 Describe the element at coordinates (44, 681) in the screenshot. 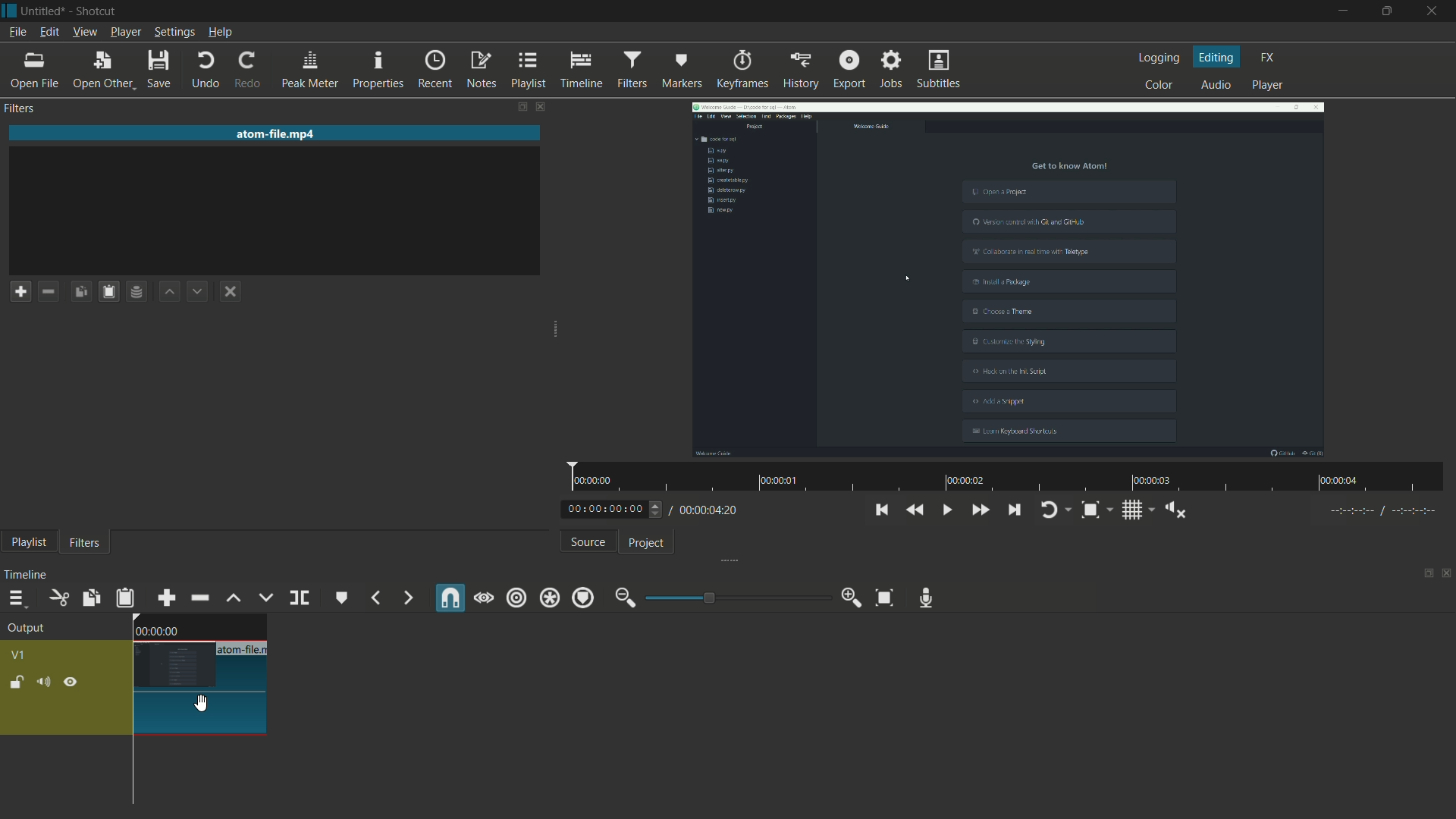

I see `mute/unmute` at that location.